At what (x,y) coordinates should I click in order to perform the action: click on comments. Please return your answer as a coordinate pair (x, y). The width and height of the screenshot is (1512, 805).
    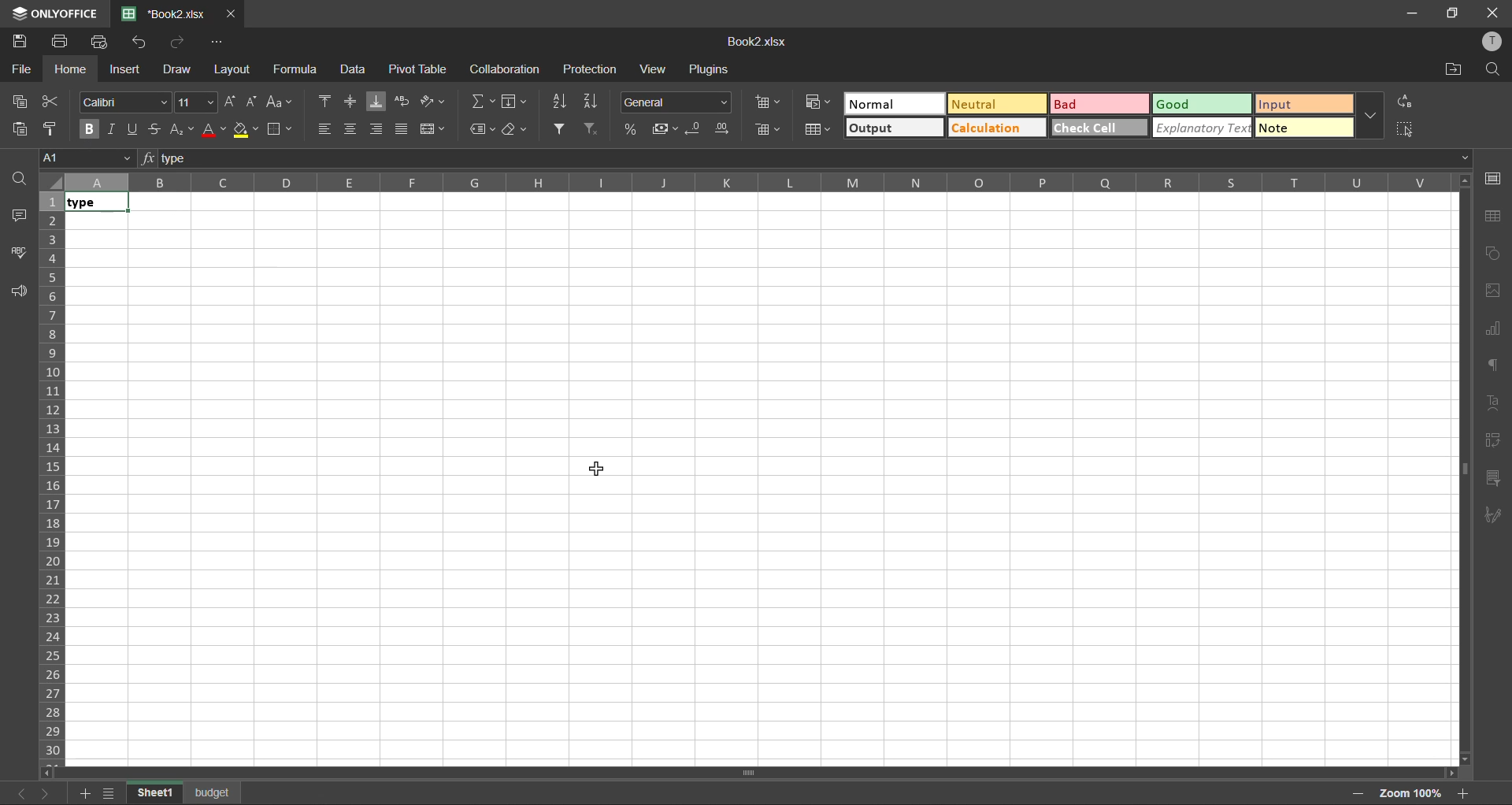
    Looking at the image, I should click on (20, 217).